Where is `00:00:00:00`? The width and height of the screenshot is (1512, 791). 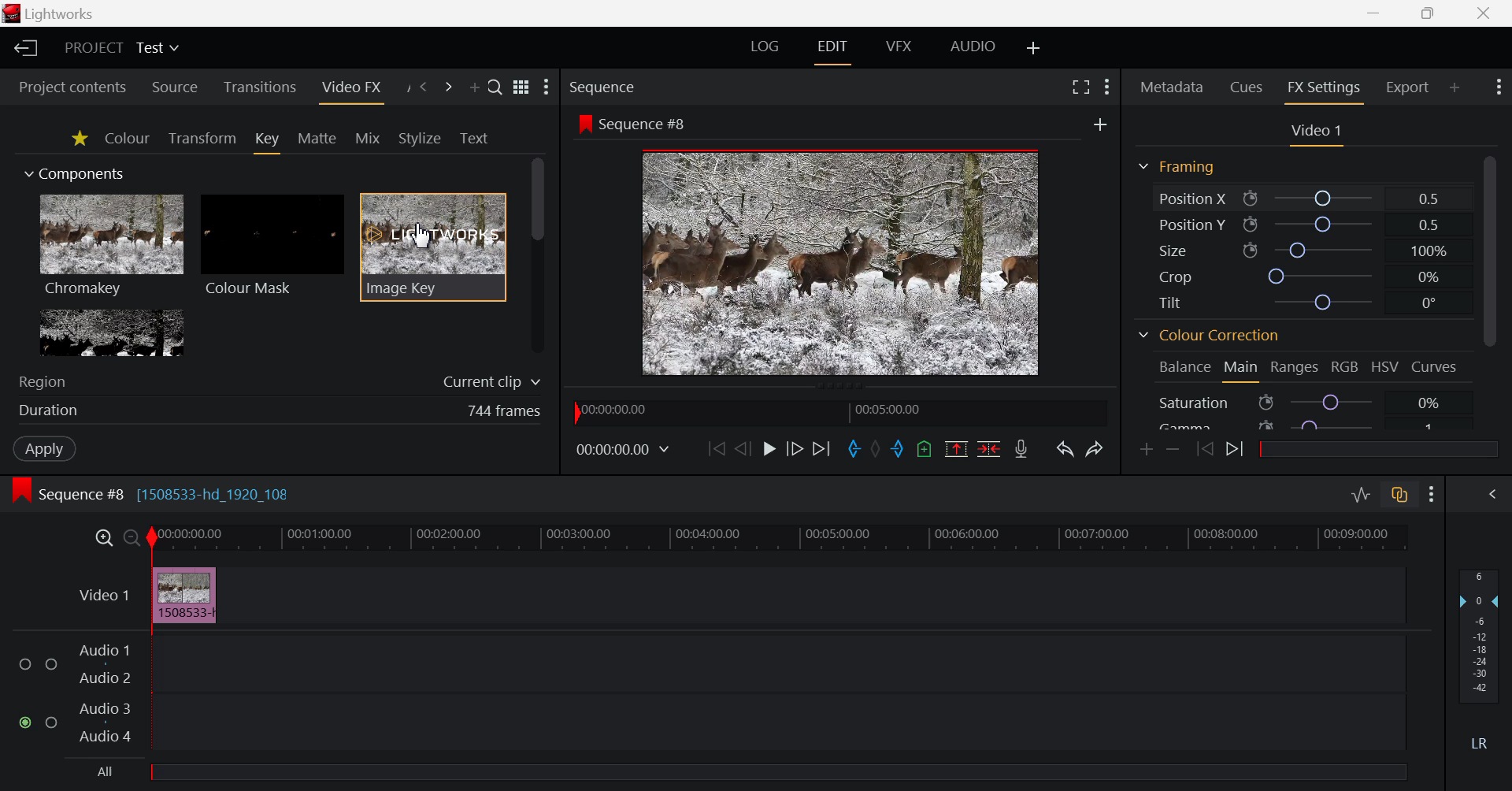 00:00:00:00 is located at coordinates (616, 410).